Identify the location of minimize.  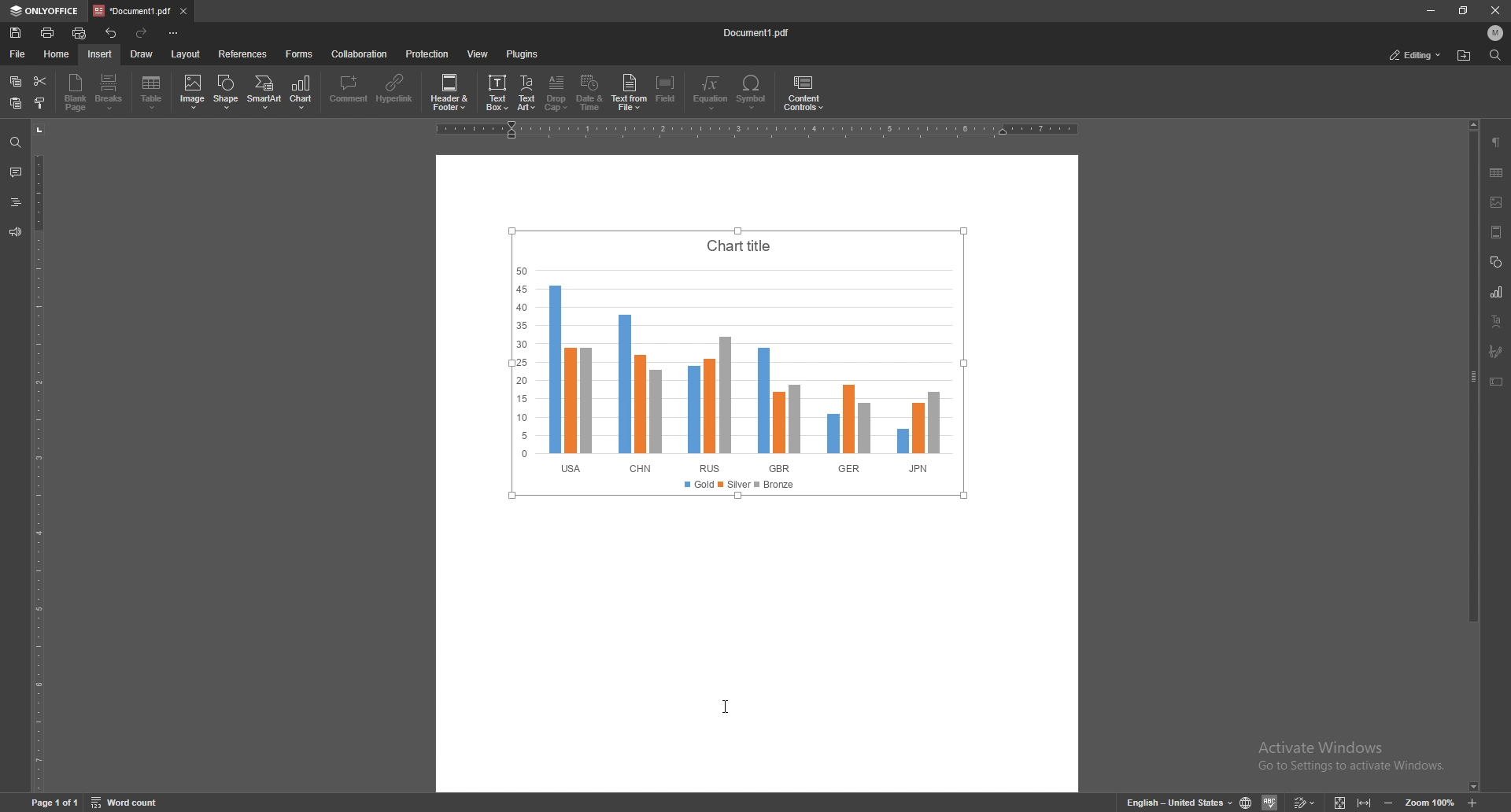
(1431, 9).